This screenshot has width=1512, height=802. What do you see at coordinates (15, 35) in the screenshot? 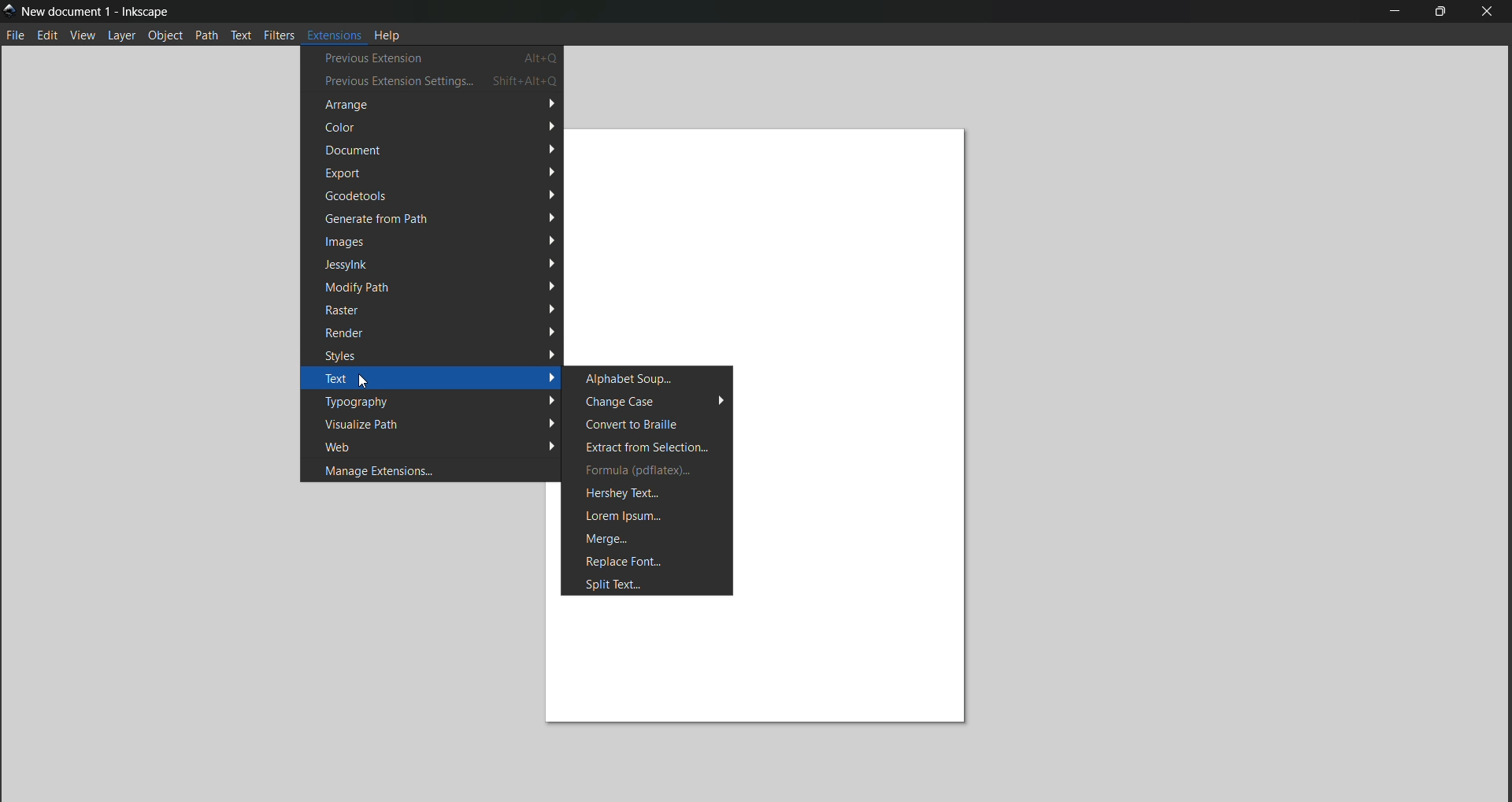
I see `file` at bounding box center [15, 35].